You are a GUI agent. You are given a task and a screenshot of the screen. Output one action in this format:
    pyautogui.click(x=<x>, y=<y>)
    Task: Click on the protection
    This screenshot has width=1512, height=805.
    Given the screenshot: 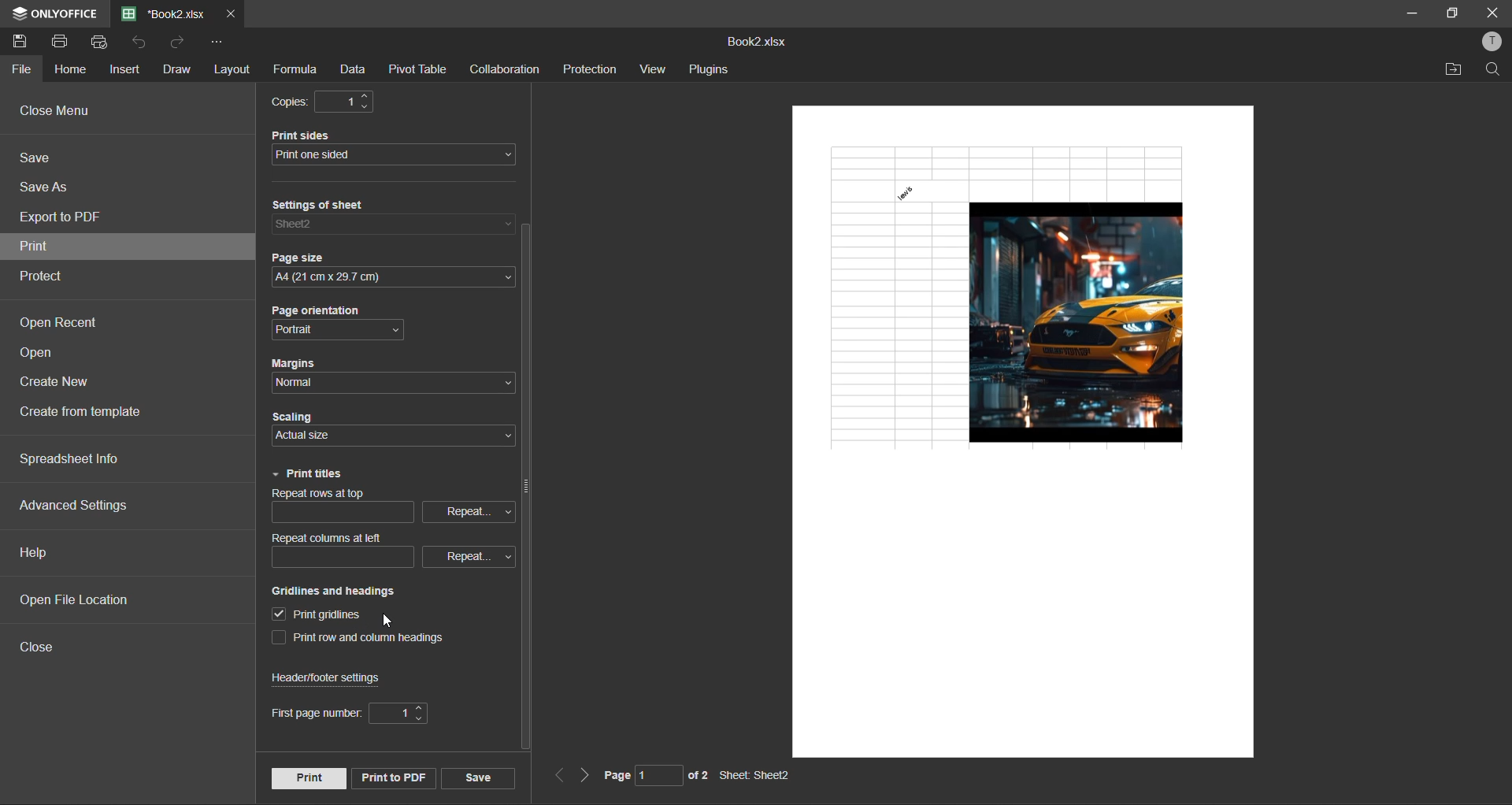 What is the action you would take?
    pyautogui.click(x=589, y=68)
    